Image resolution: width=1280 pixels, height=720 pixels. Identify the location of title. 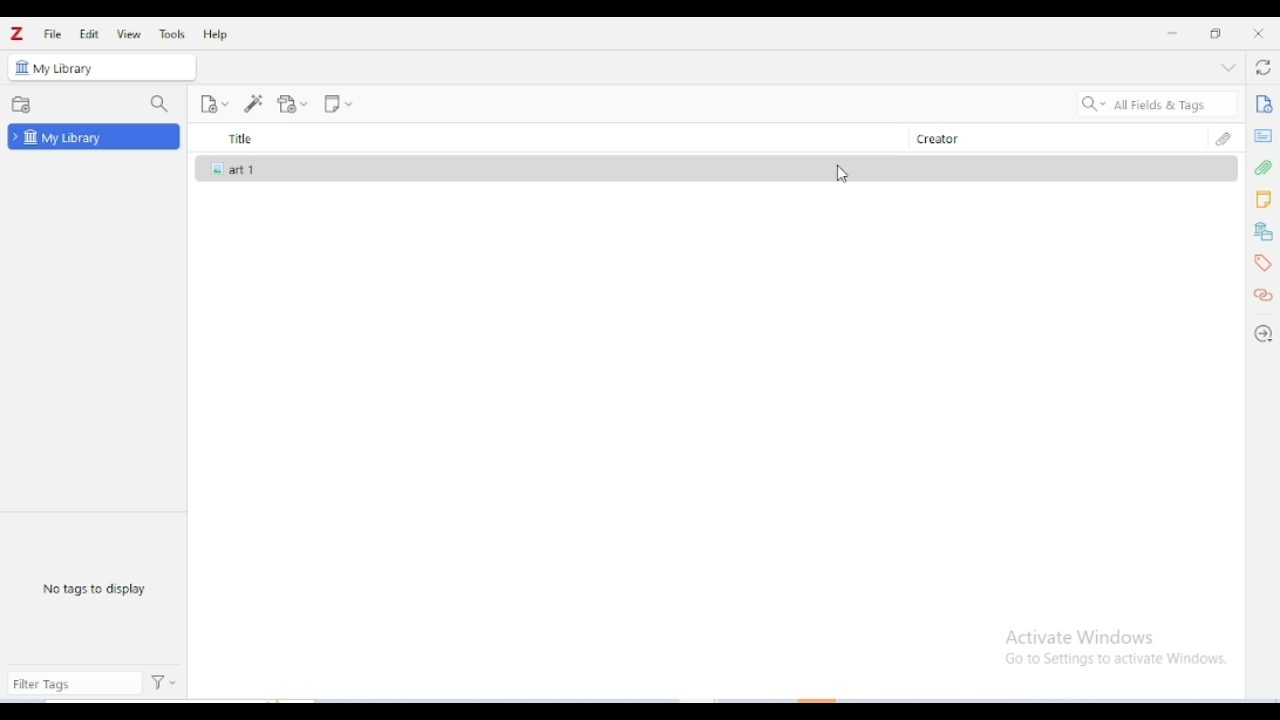
(553, 137).